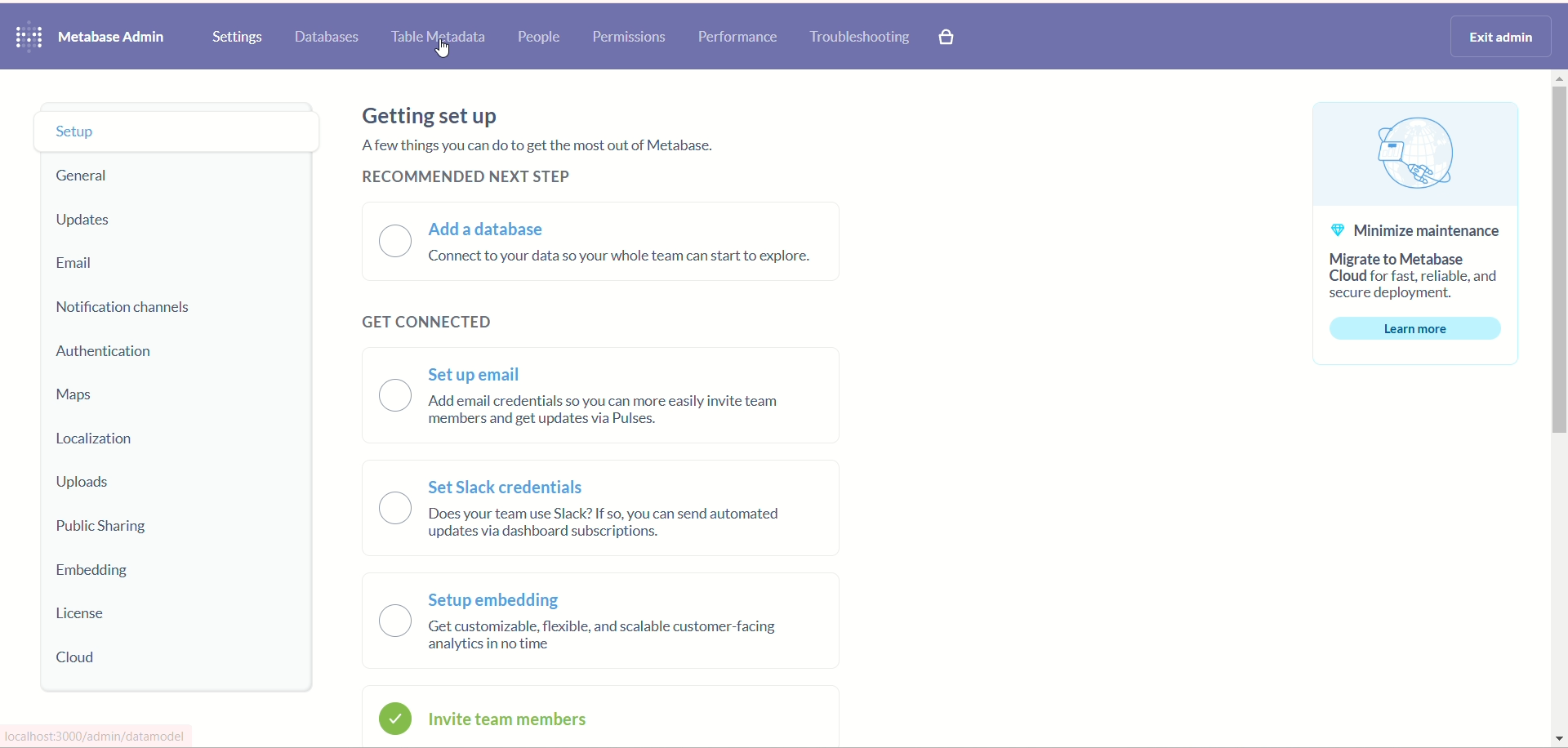 This screenshot has height=748, width=1568. Describe the element at coordinates (550, 149) in the screenshot. I see `text` at that location.